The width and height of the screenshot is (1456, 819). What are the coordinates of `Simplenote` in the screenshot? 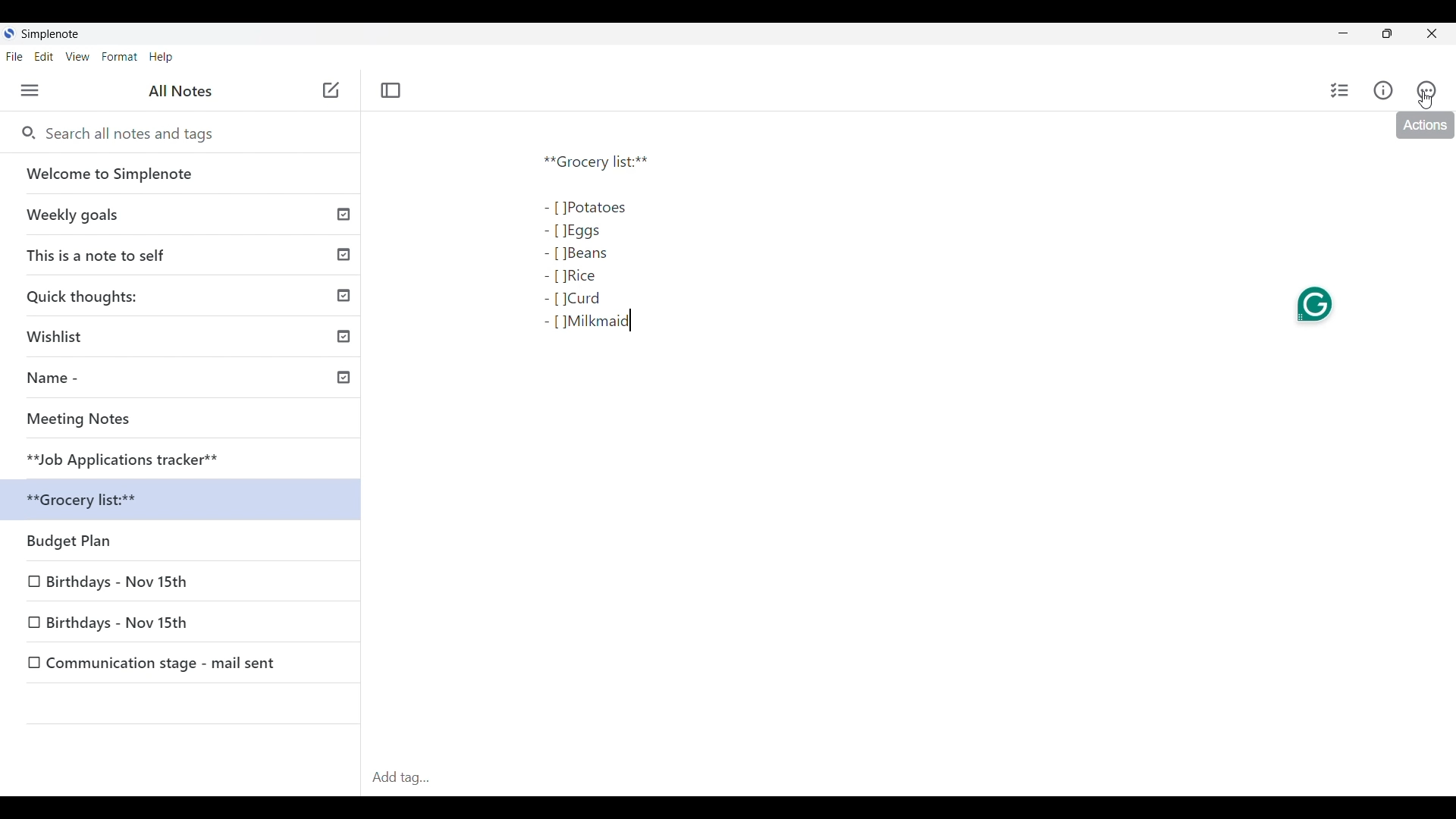 It's located at (47, 33).